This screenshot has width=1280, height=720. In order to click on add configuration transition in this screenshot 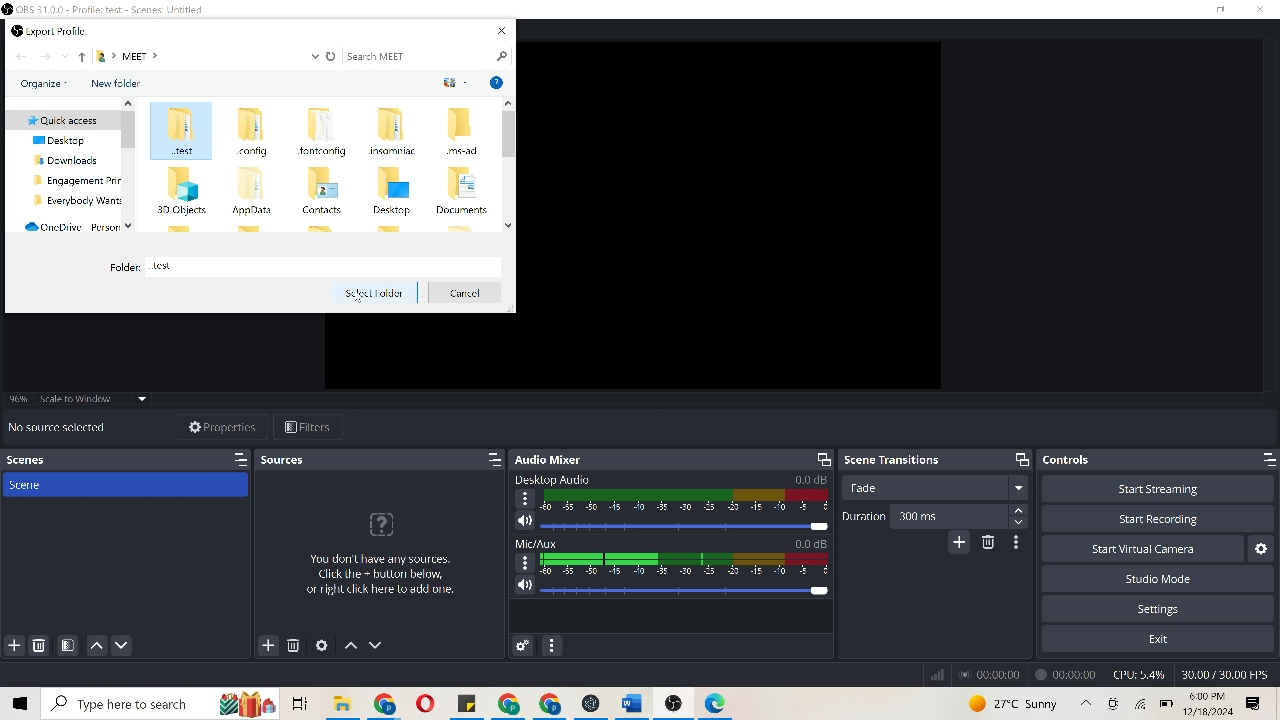, I will do `click(959, 545)`.